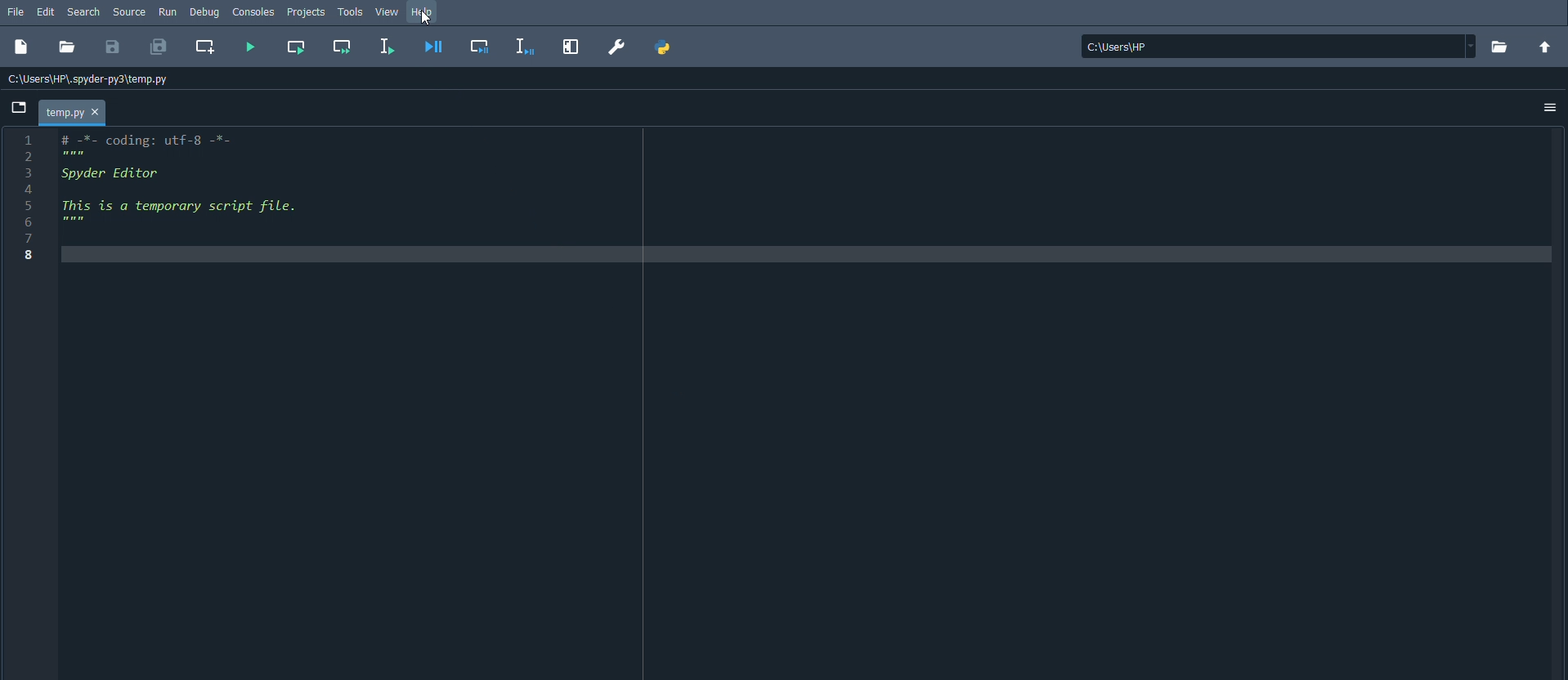  What do you see at coordinates (343, 47) in the screenshot?
I see `Run current cell and go to the next one` at bounding box center [343, 47].